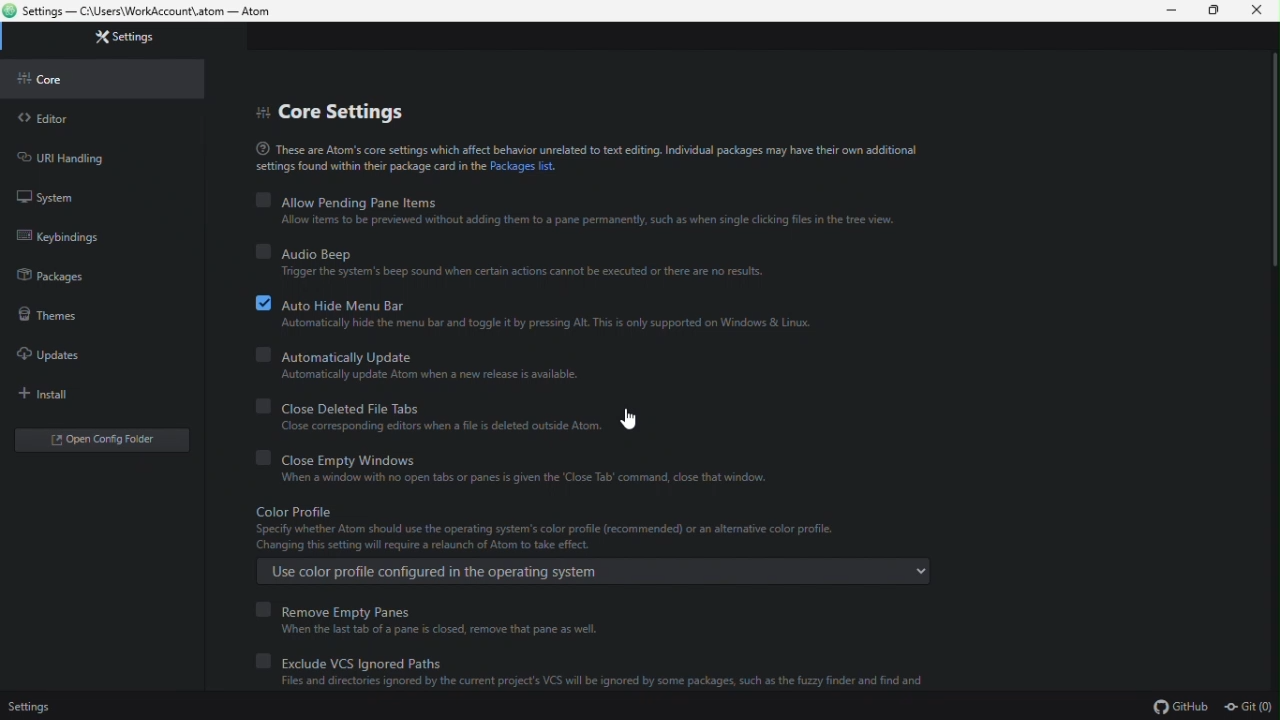  Describe the element at coordinates (427, 427) in the screenshot. I see `Close corresponding editors when a file is deleted outside Atom.` at that location.